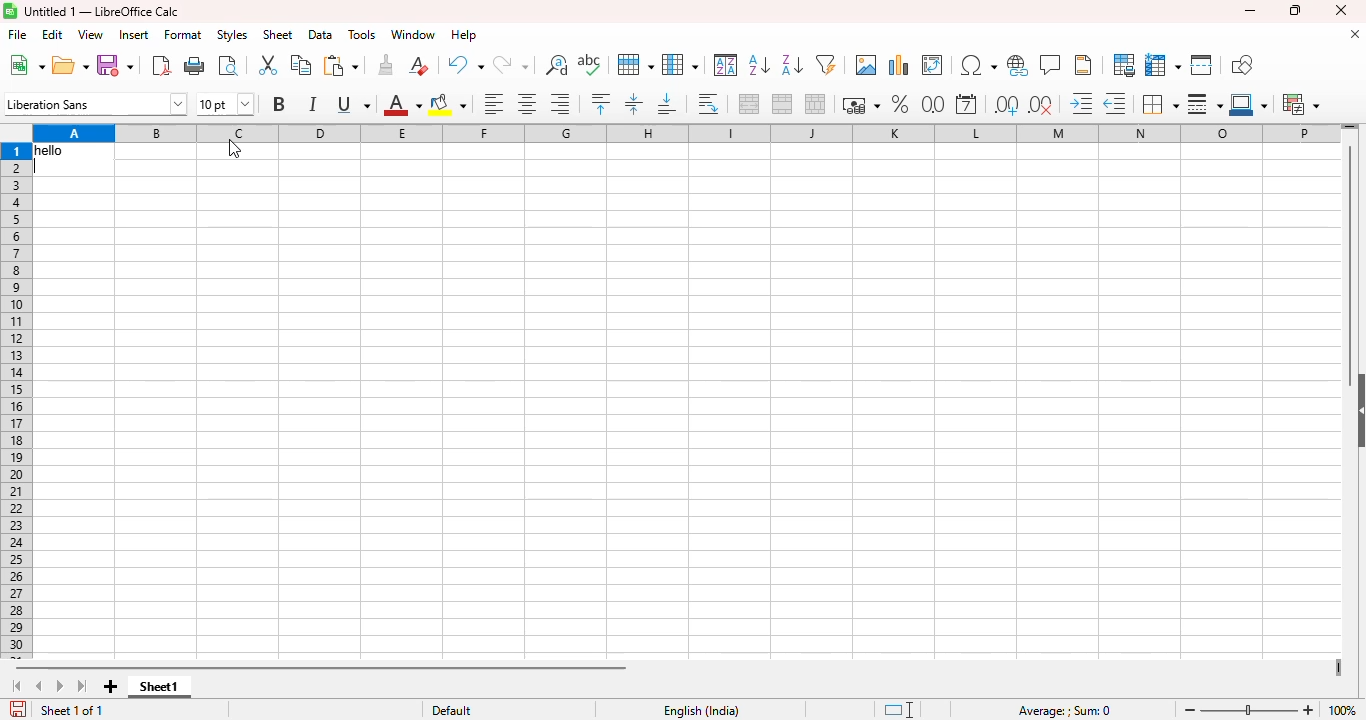  I want to click on merge and center or unmerge cells depending on the current toggle state, so click(750, 103).